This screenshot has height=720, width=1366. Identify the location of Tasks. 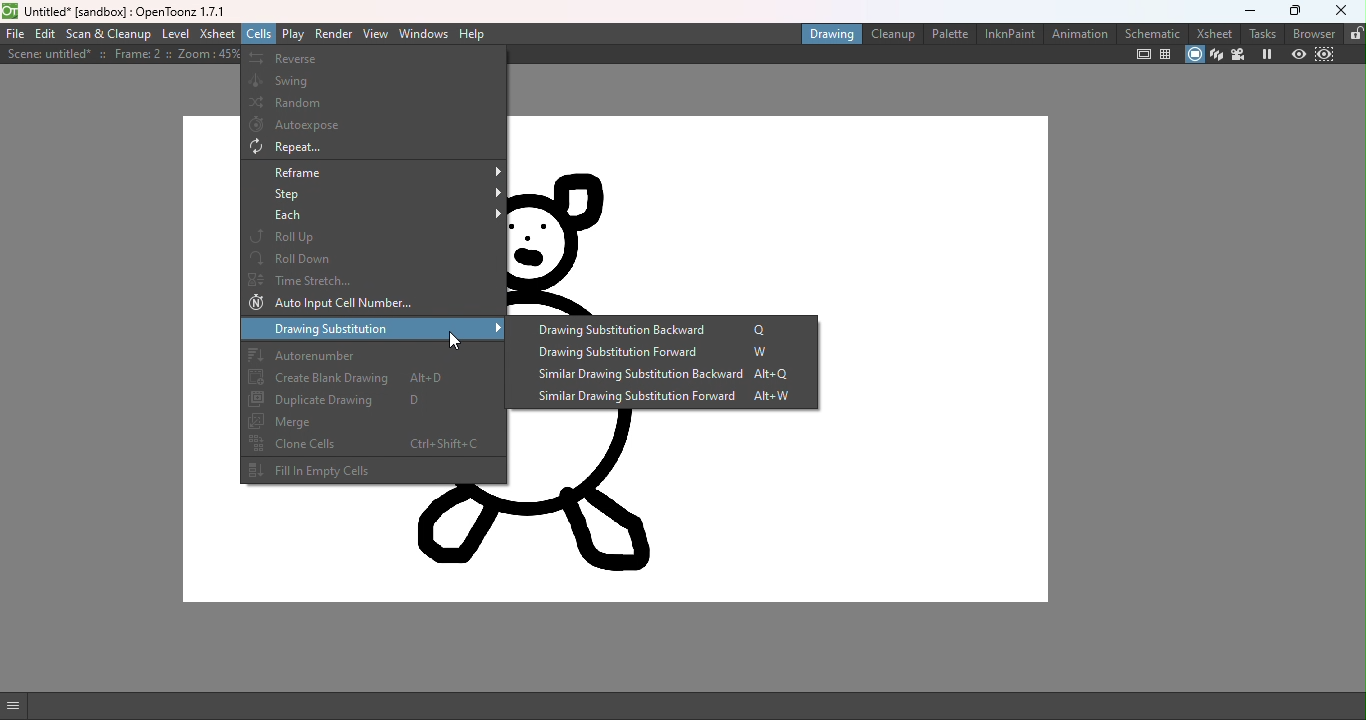
(1264, 32).